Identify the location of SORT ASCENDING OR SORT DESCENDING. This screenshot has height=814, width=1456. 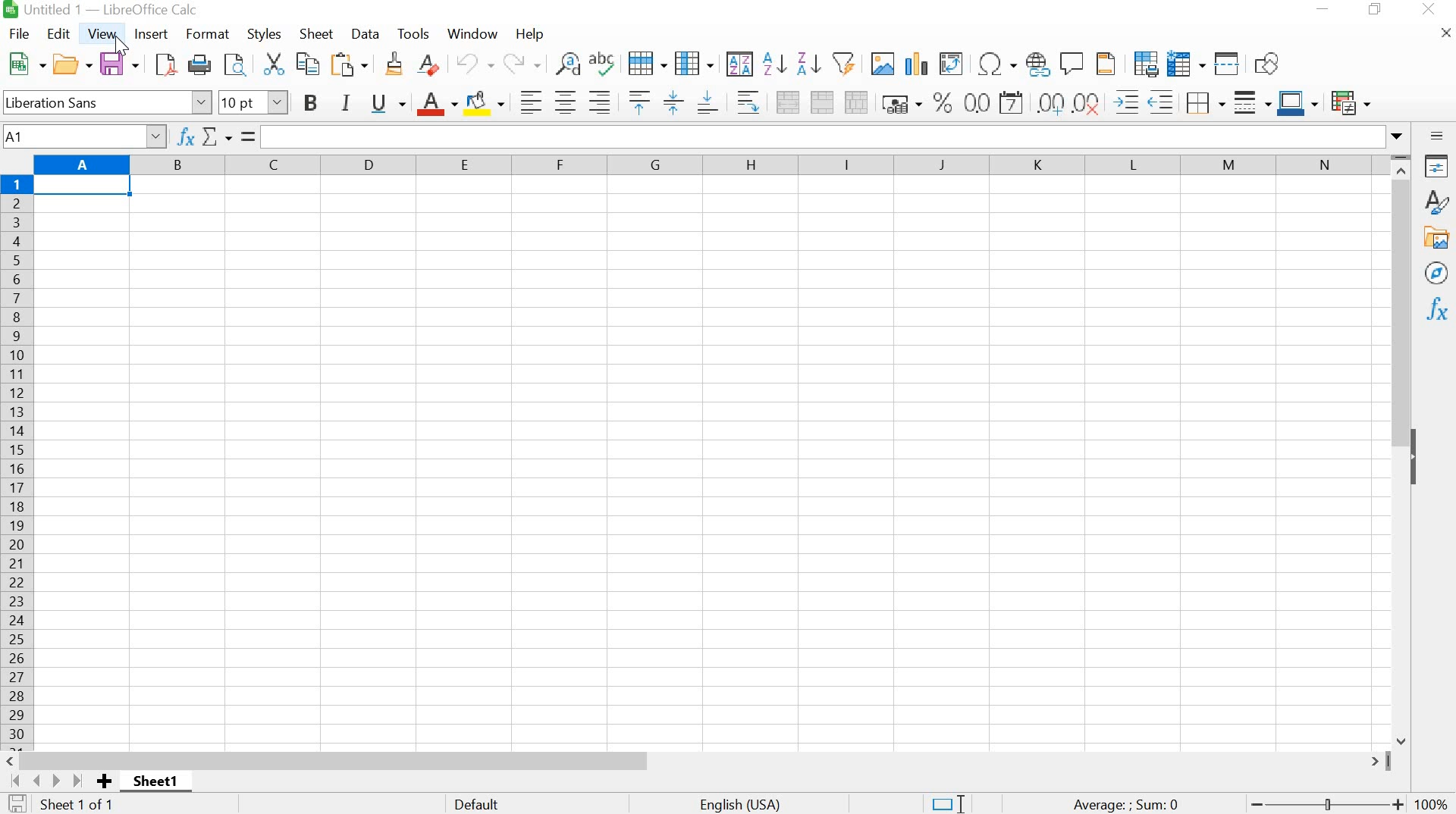
(792, 64).